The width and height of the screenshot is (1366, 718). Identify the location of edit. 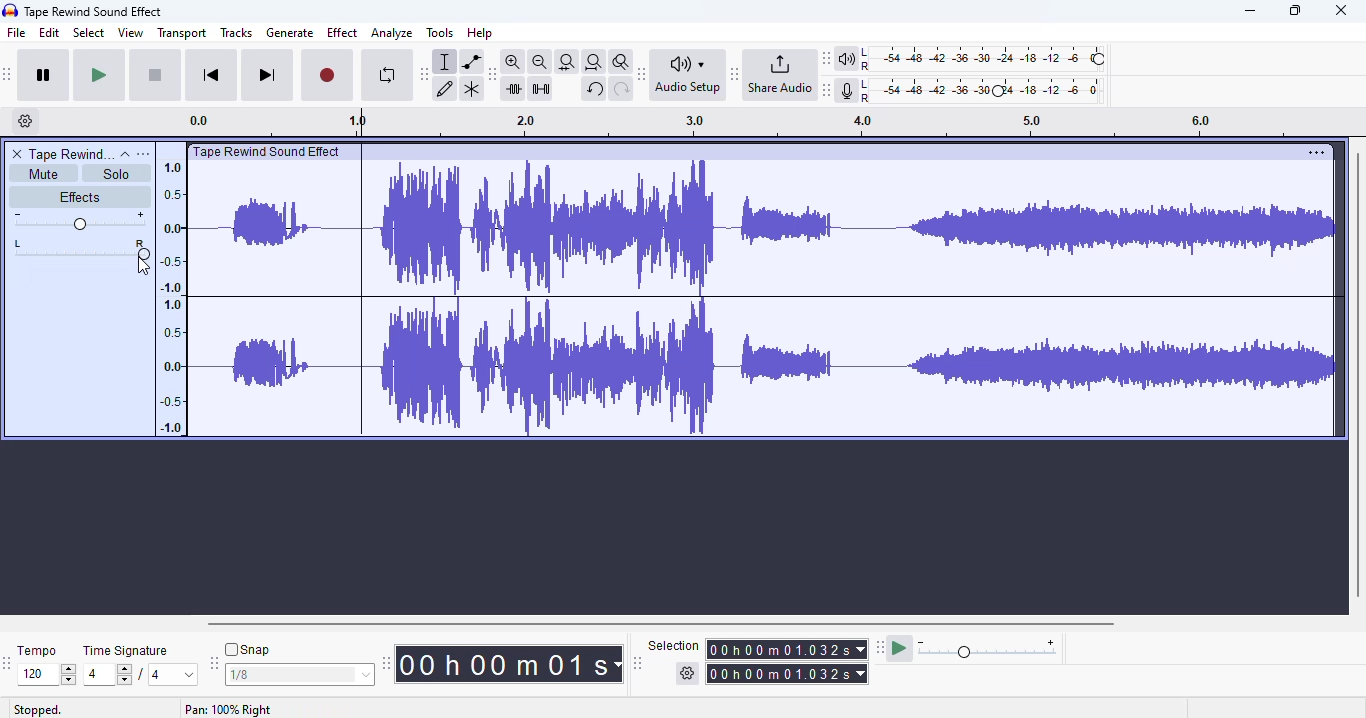
(49, 32).